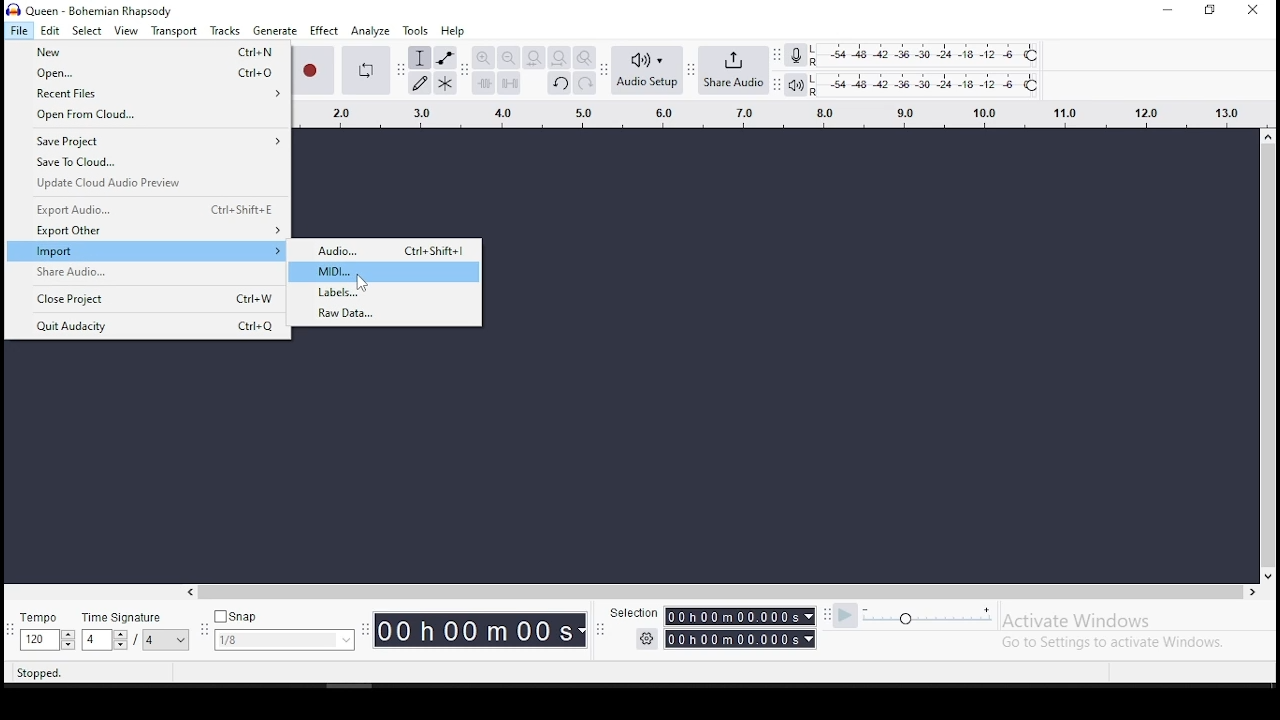  Describe the element at coordinates (1270, 354) in the screenshot. I see `scroll bar` at that location.